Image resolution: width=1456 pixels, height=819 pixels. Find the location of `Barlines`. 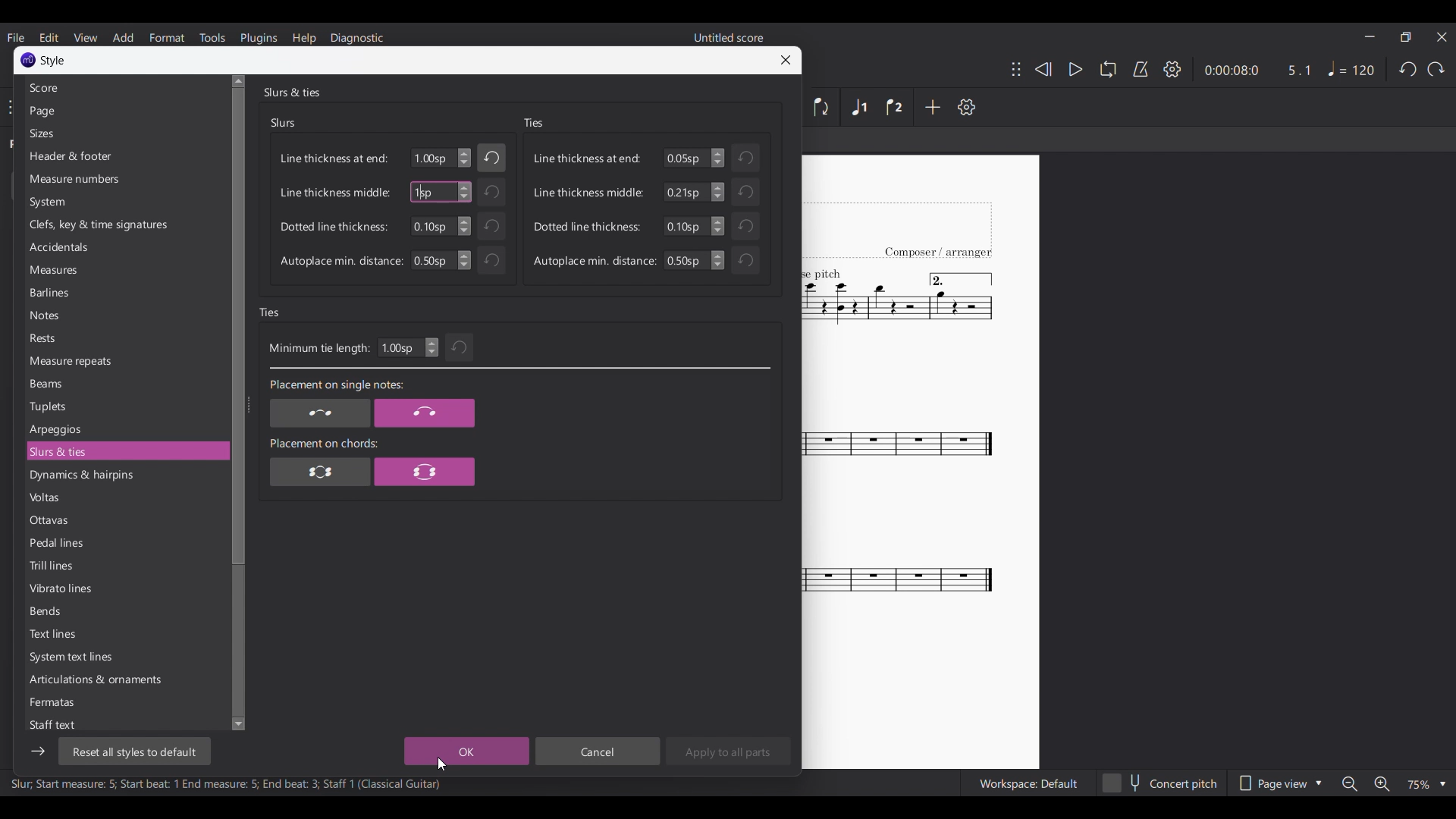

Barlines is located at coordinates (125, 292).